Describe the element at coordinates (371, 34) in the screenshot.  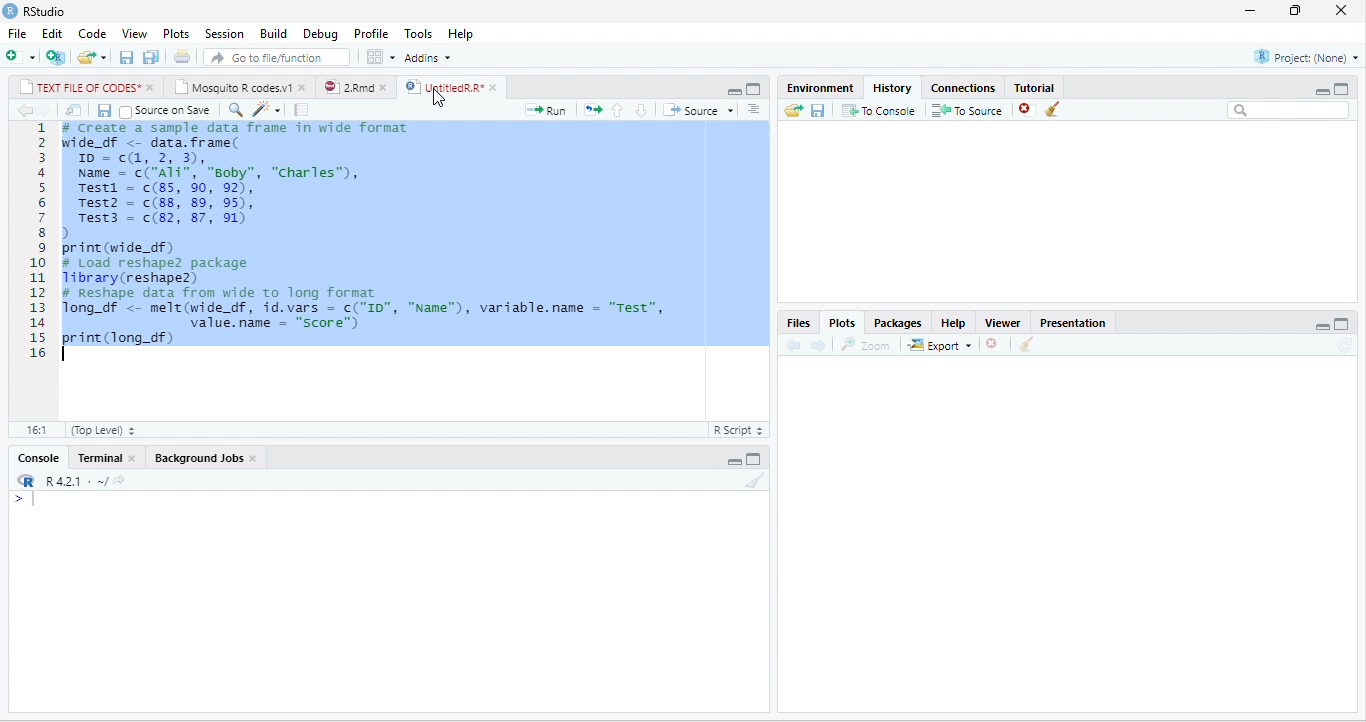
I see `Profile` at that location.